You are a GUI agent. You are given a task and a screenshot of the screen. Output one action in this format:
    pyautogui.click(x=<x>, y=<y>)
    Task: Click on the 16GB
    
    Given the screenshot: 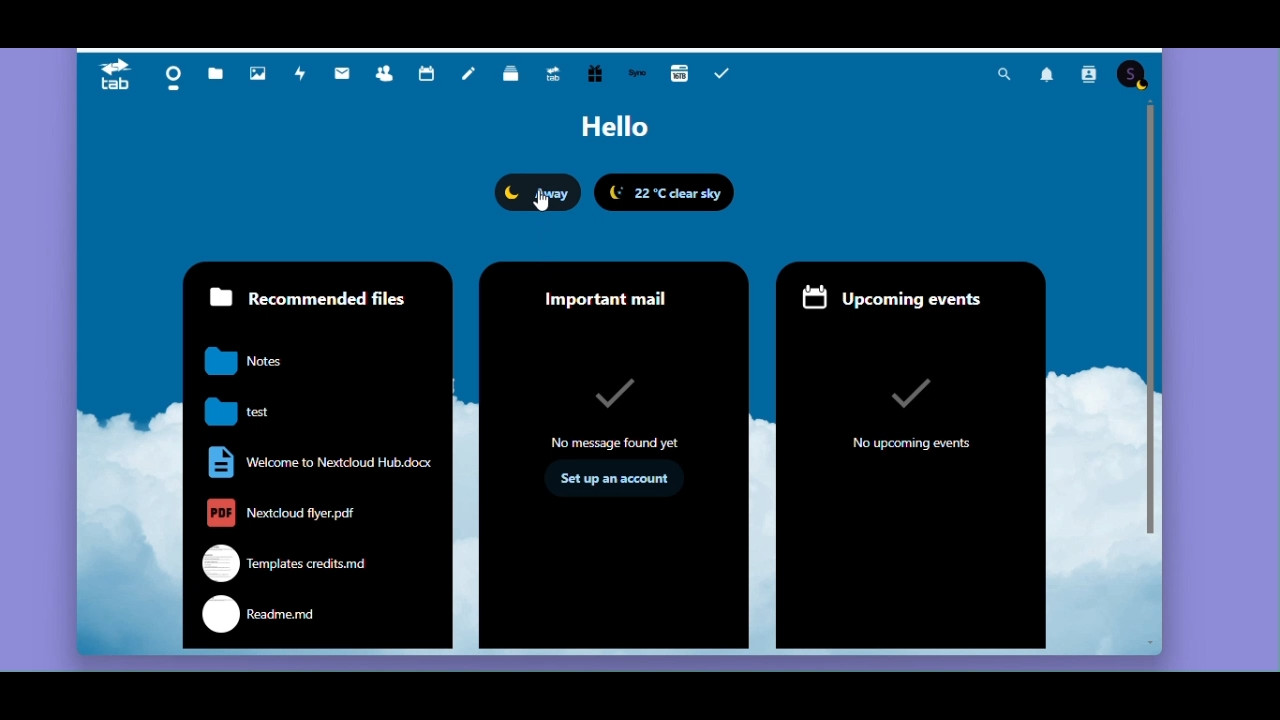 What is the action you would take?
    pyautogui.click(x=680, y=72)
    